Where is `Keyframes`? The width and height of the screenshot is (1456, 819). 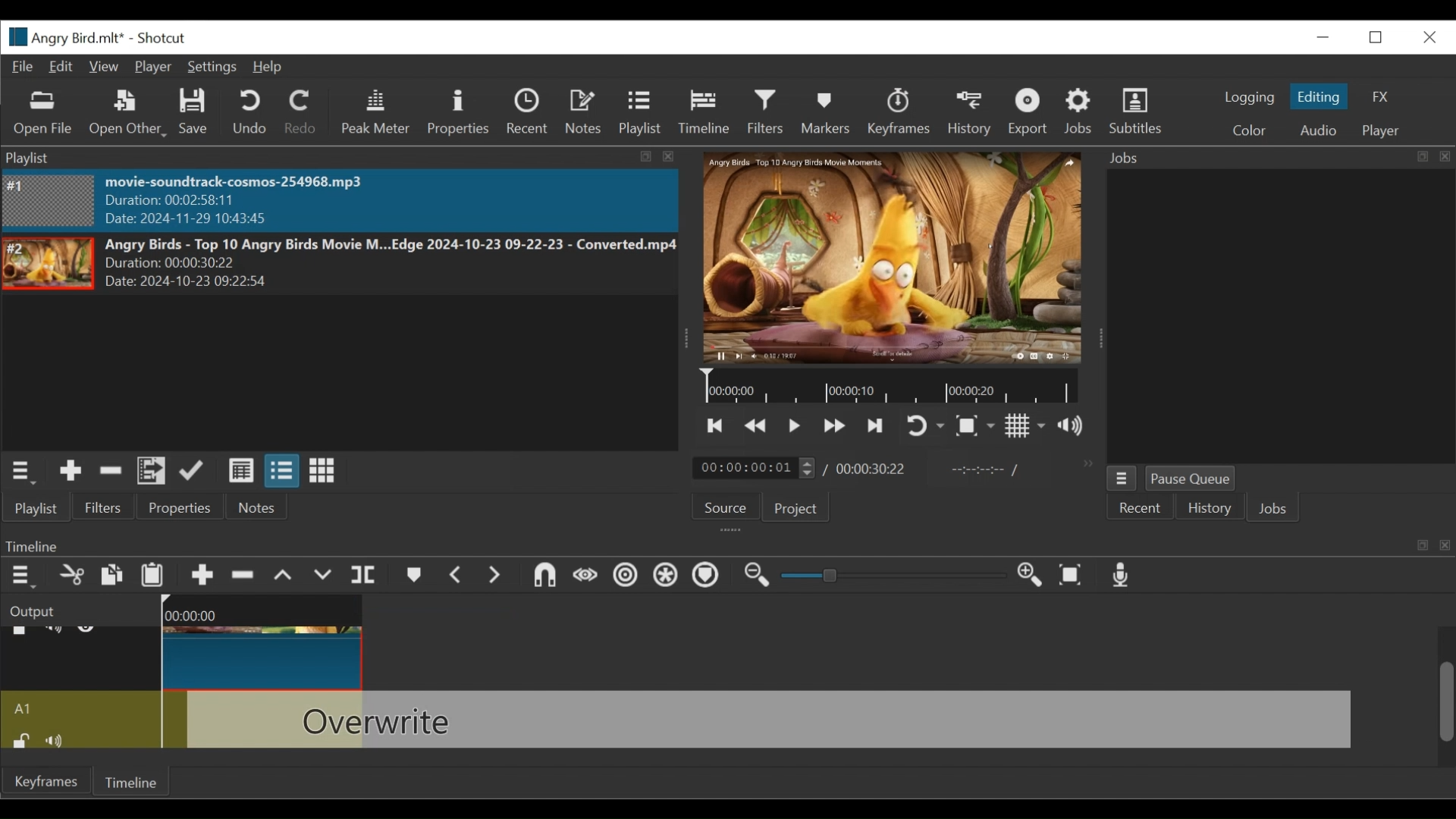
Keyframes is located at coordinates (897, 111).